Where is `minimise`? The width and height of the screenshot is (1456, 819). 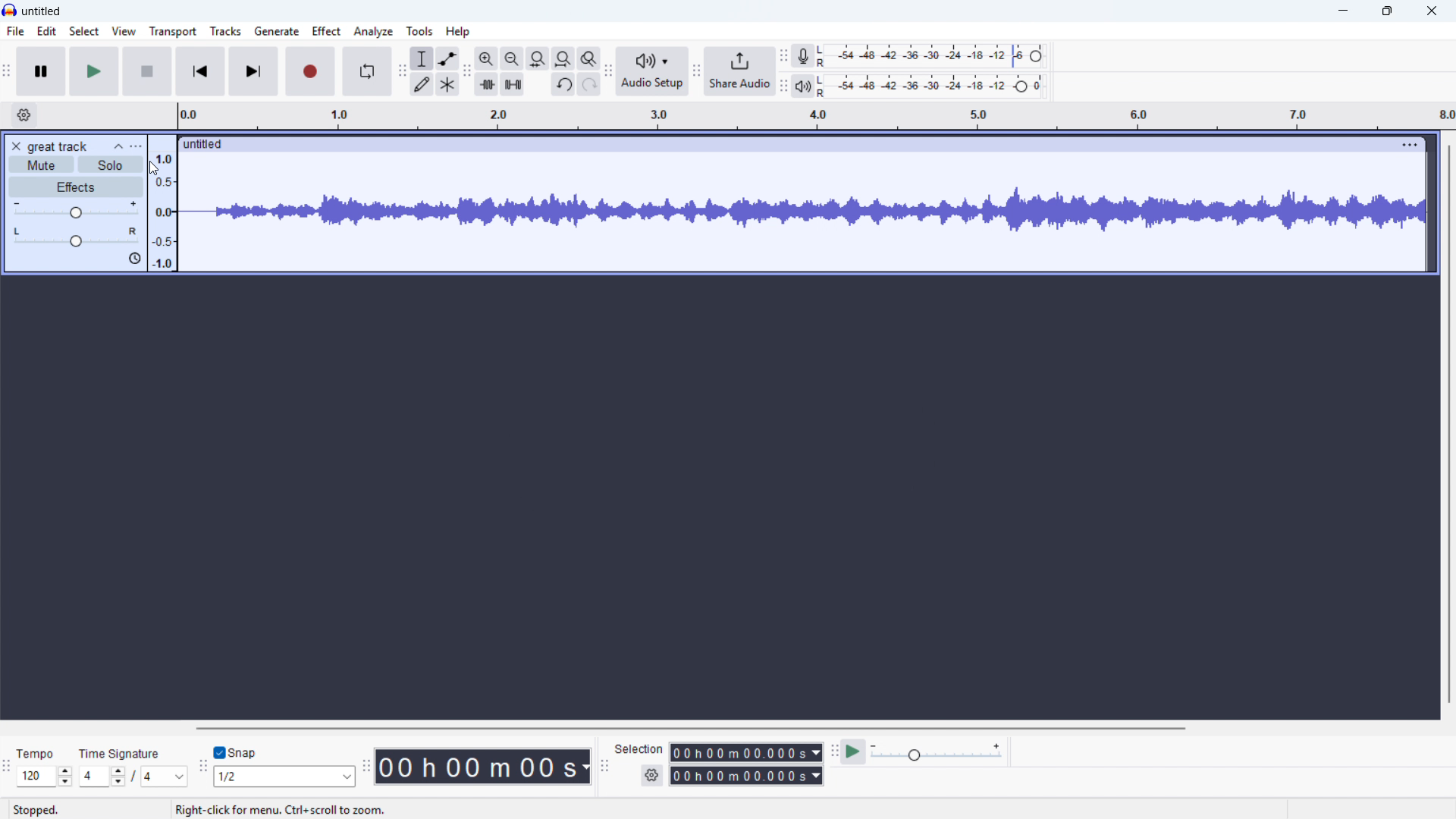 minimise is located at coordinates (1345, 11).